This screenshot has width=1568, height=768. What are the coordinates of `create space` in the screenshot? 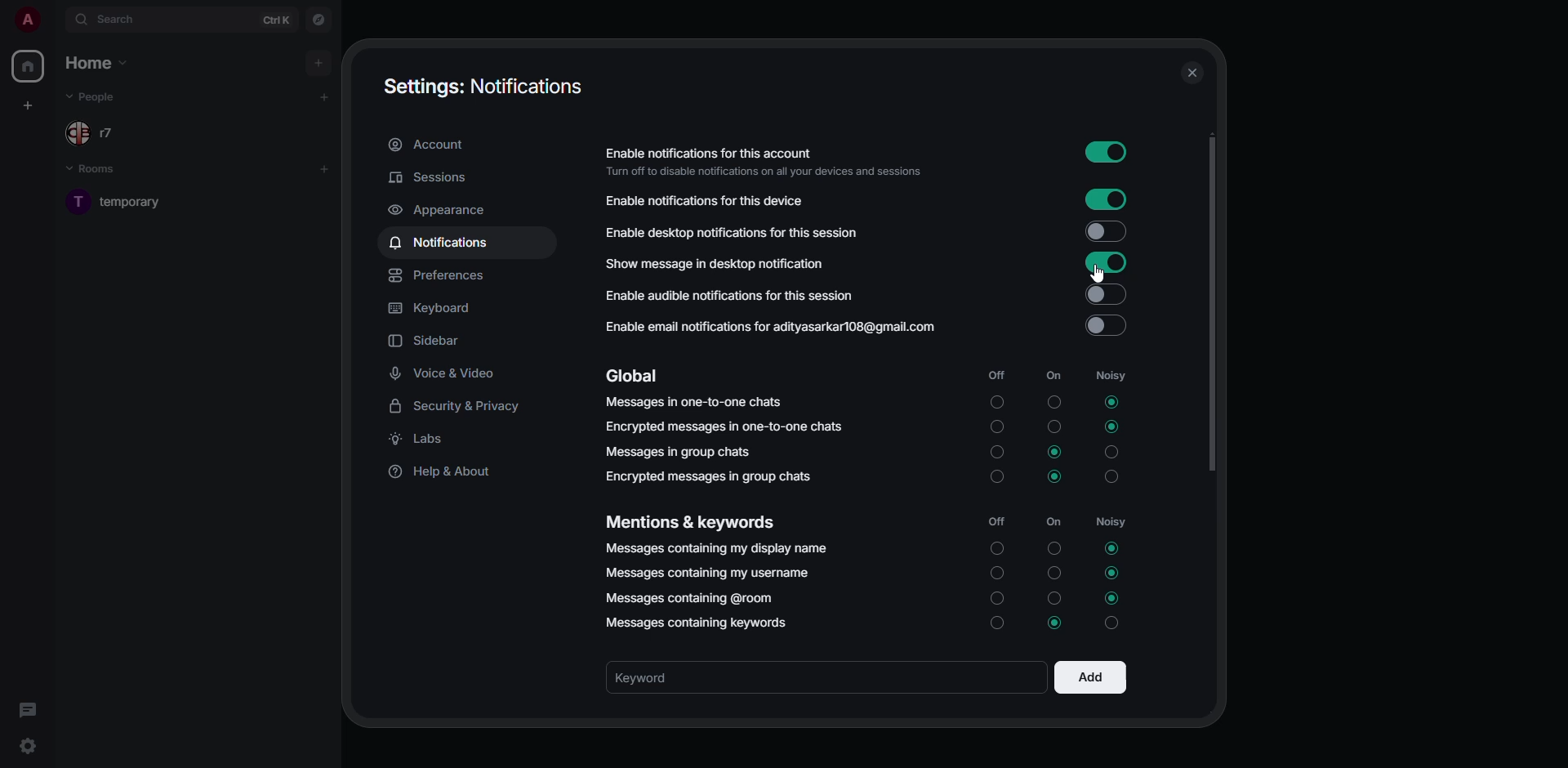 It's located at (31, 105).